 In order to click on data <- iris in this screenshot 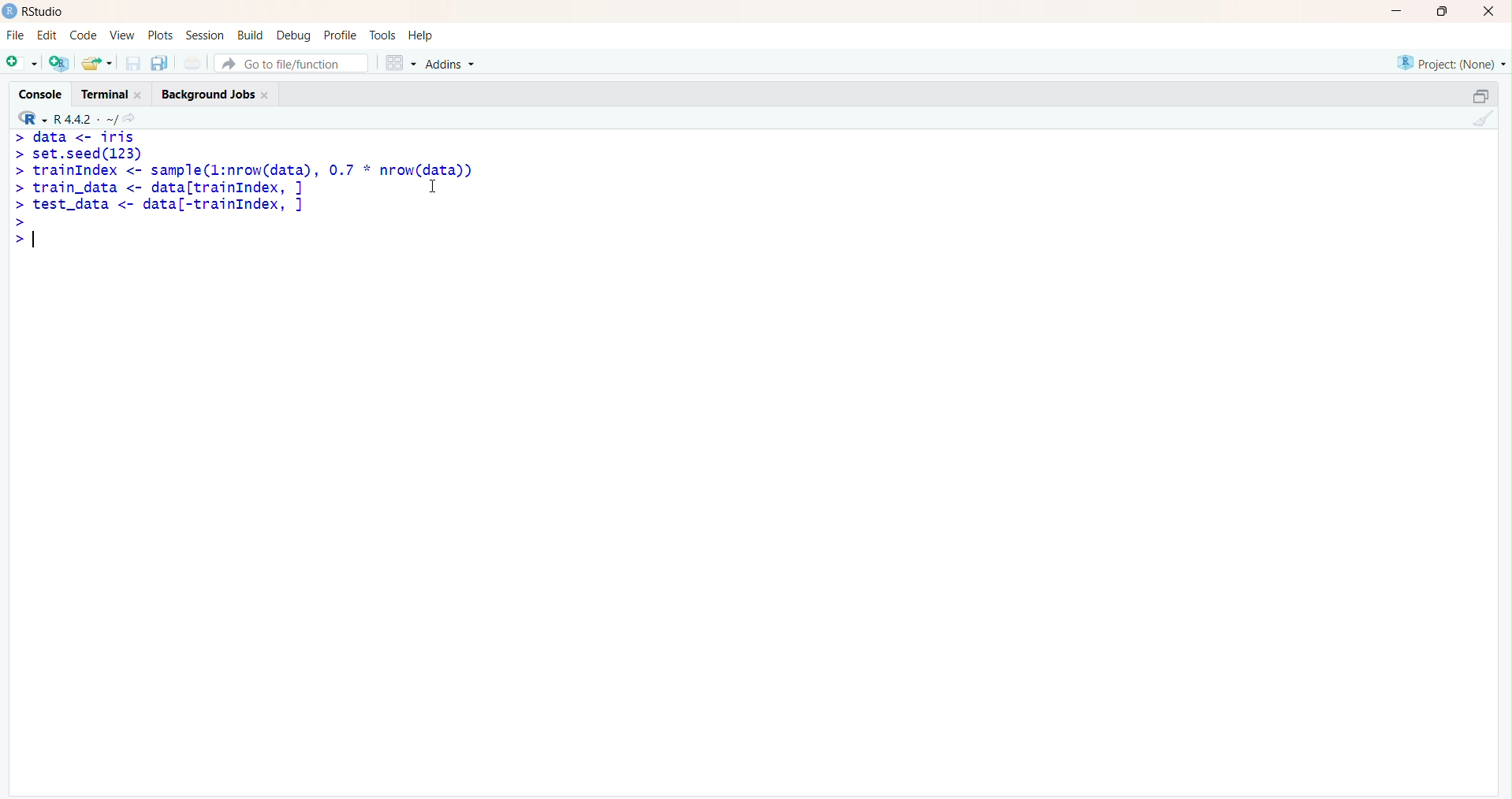, I will do `click(85, 136)`.